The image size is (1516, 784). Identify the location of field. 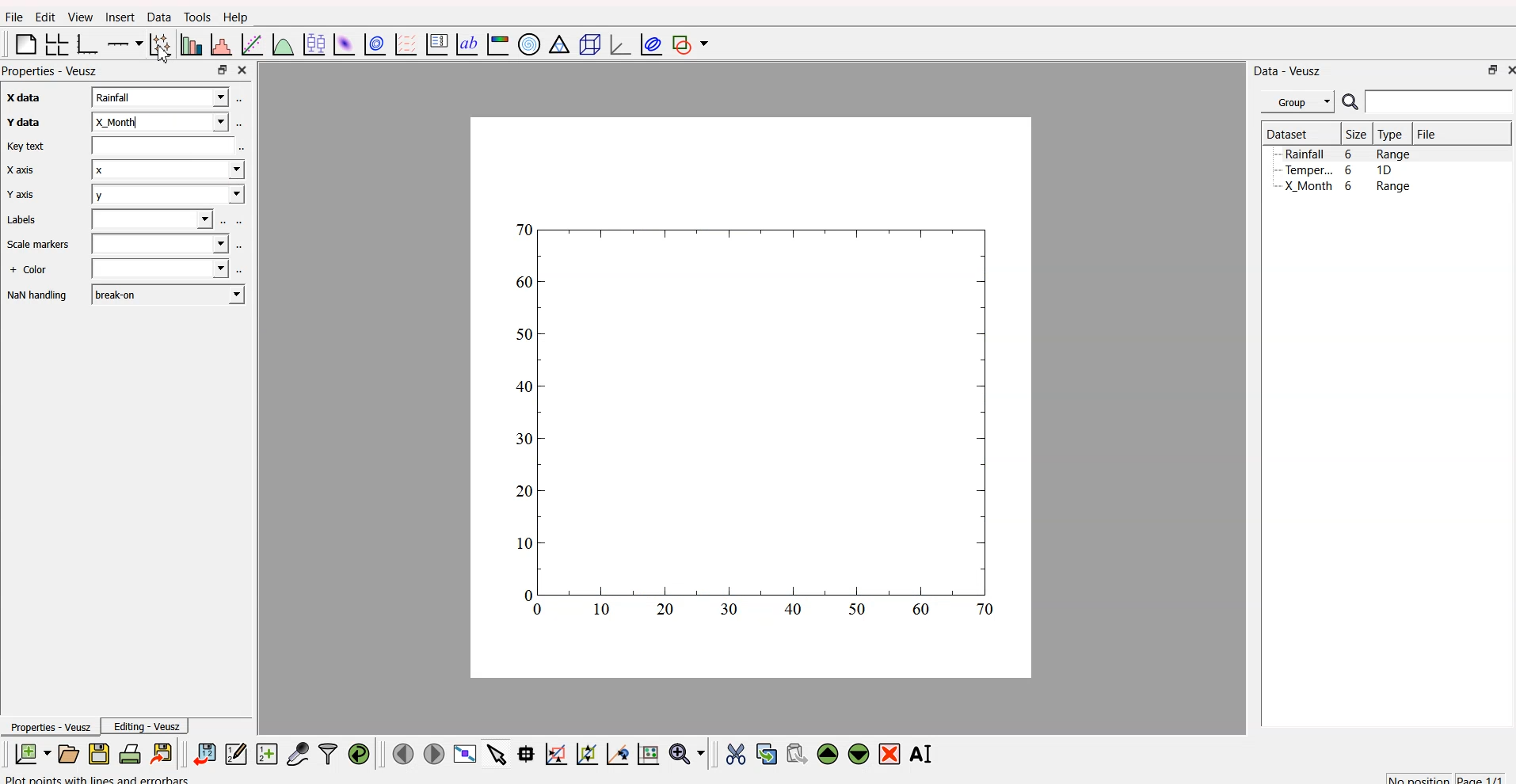
(154, 220).